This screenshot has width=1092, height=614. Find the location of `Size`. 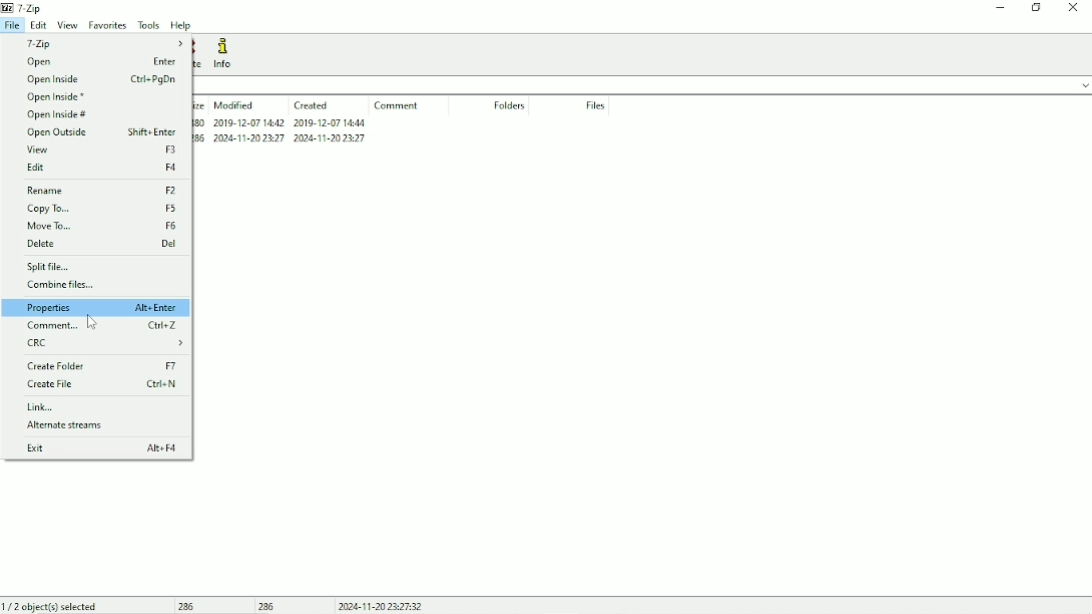

Size is located at coordinates (200, 105).